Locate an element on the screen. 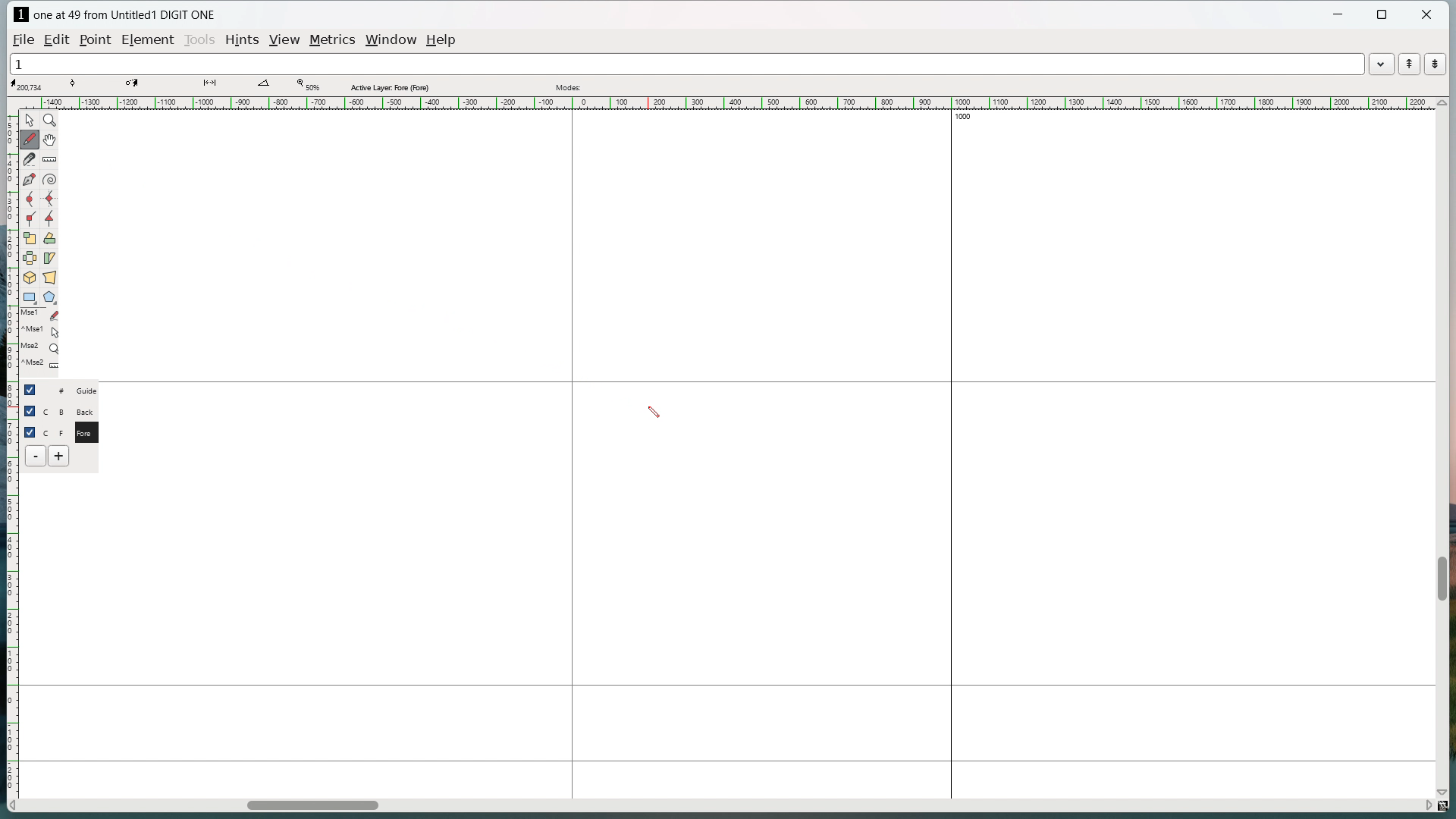 The width and height of the screenshot is (1456, 819). scroll left is located at coordinates (14, 806).